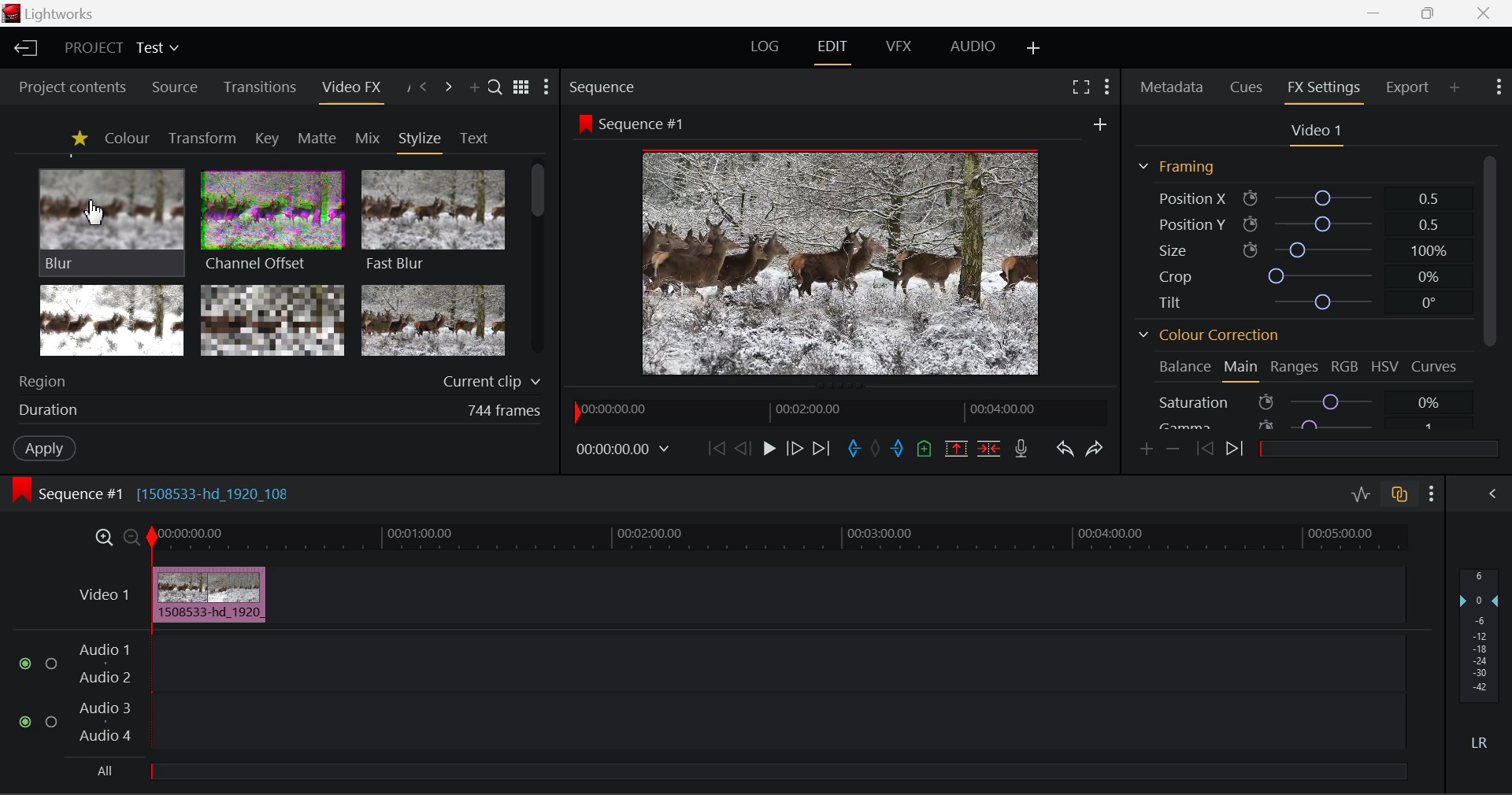  What do you see at coordinates (991, 444) in the screenshot?
I see `Delete/Cut` at bounding box center [991, 444].